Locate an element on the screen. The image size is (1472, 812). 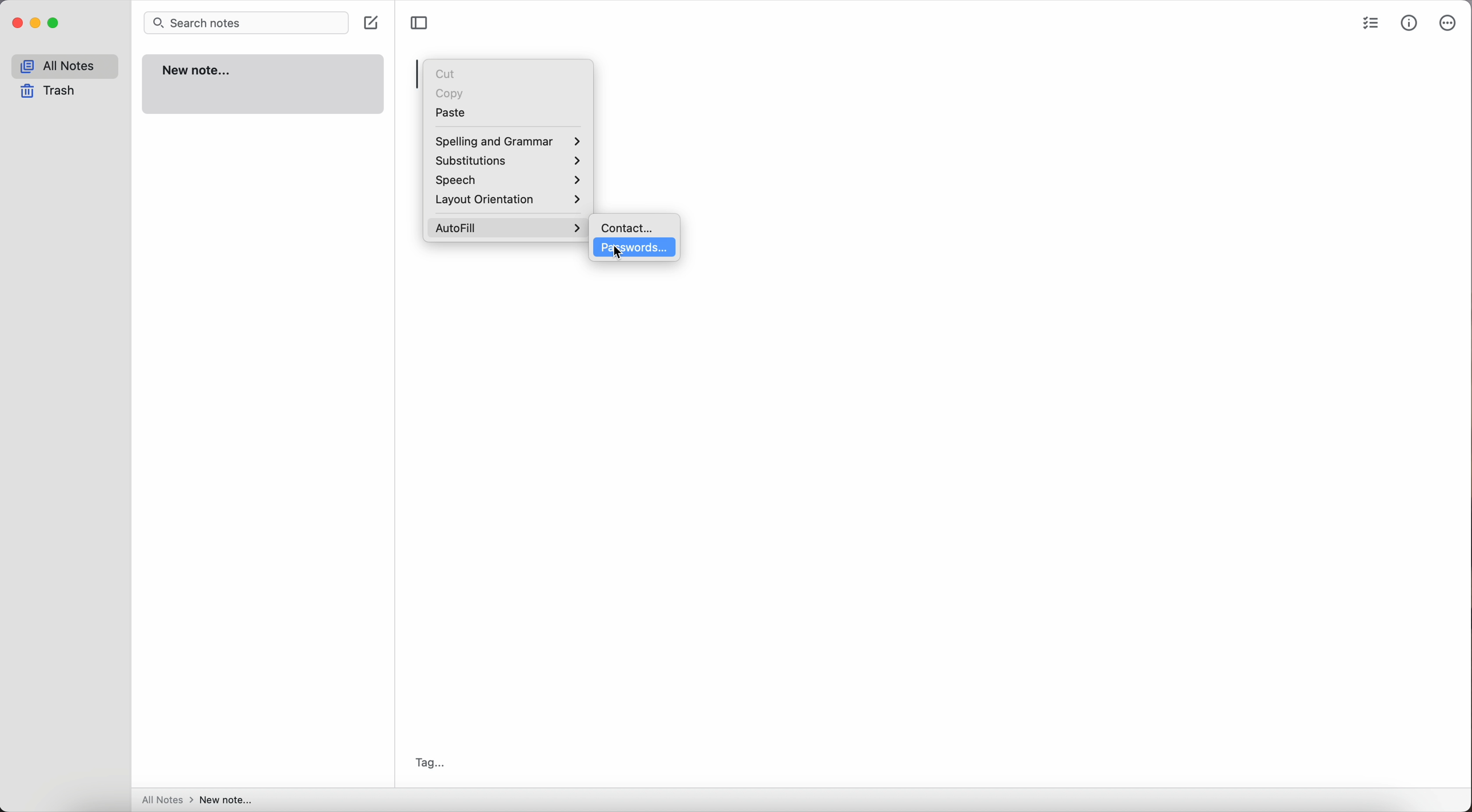
speech is located at coordinates (510, 182).